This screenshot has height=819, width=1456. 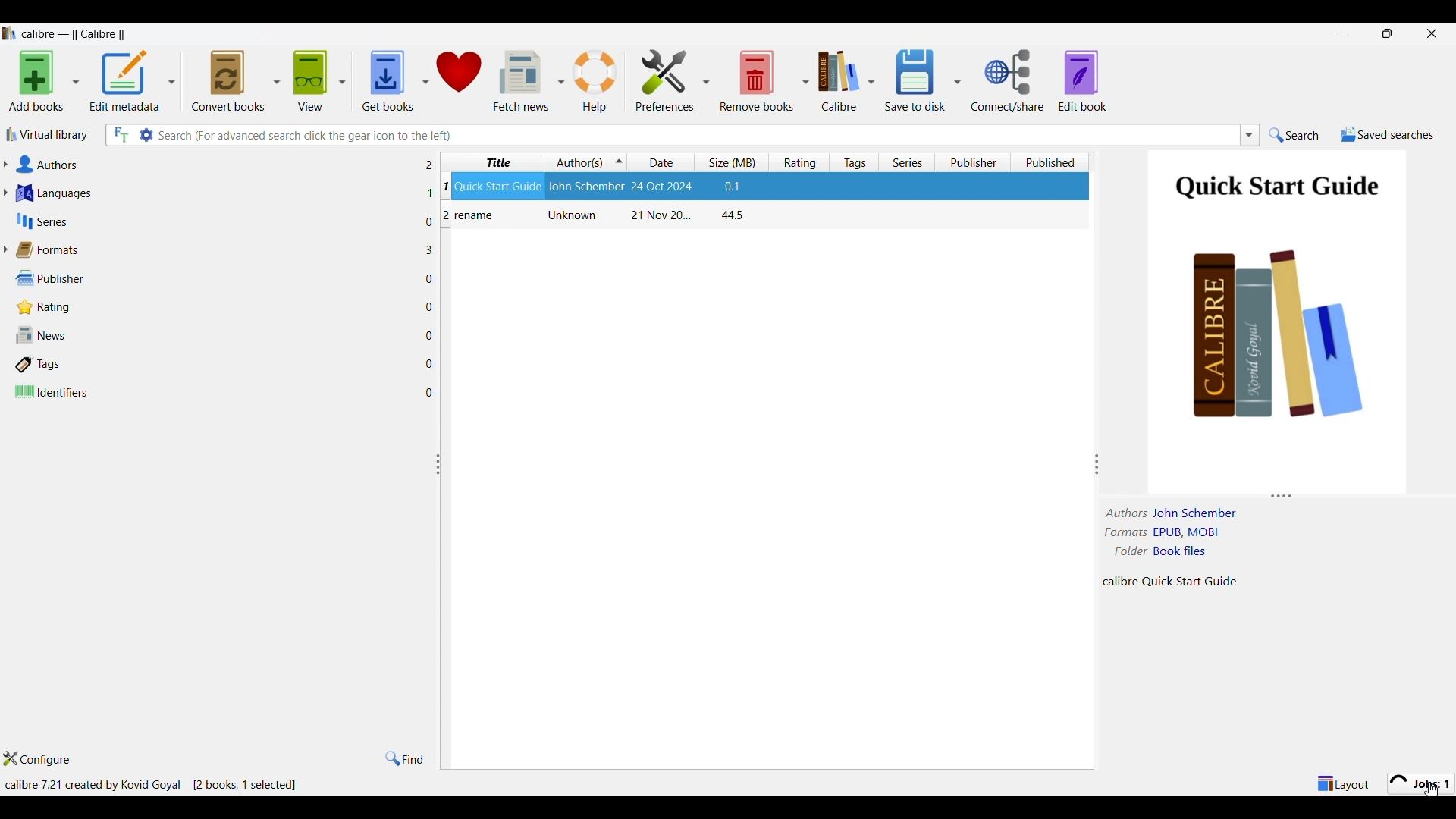 What do you see at coordinates (214, 250) in the screenshot?
I see `Formats` at bounding box center [214, 250].